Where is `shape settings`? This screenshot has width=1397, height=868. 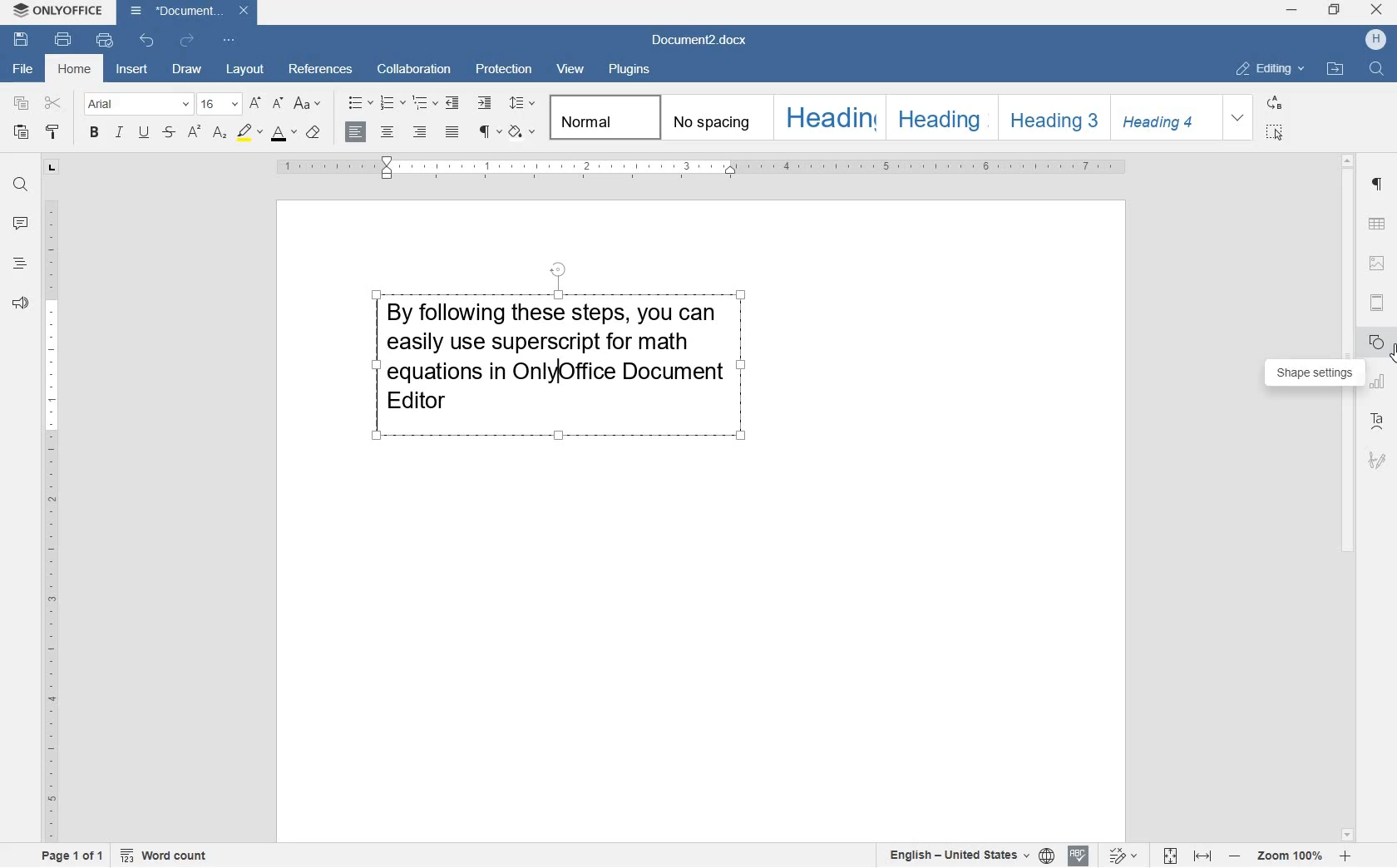 shape settings is located at coordinates (1377, 343).